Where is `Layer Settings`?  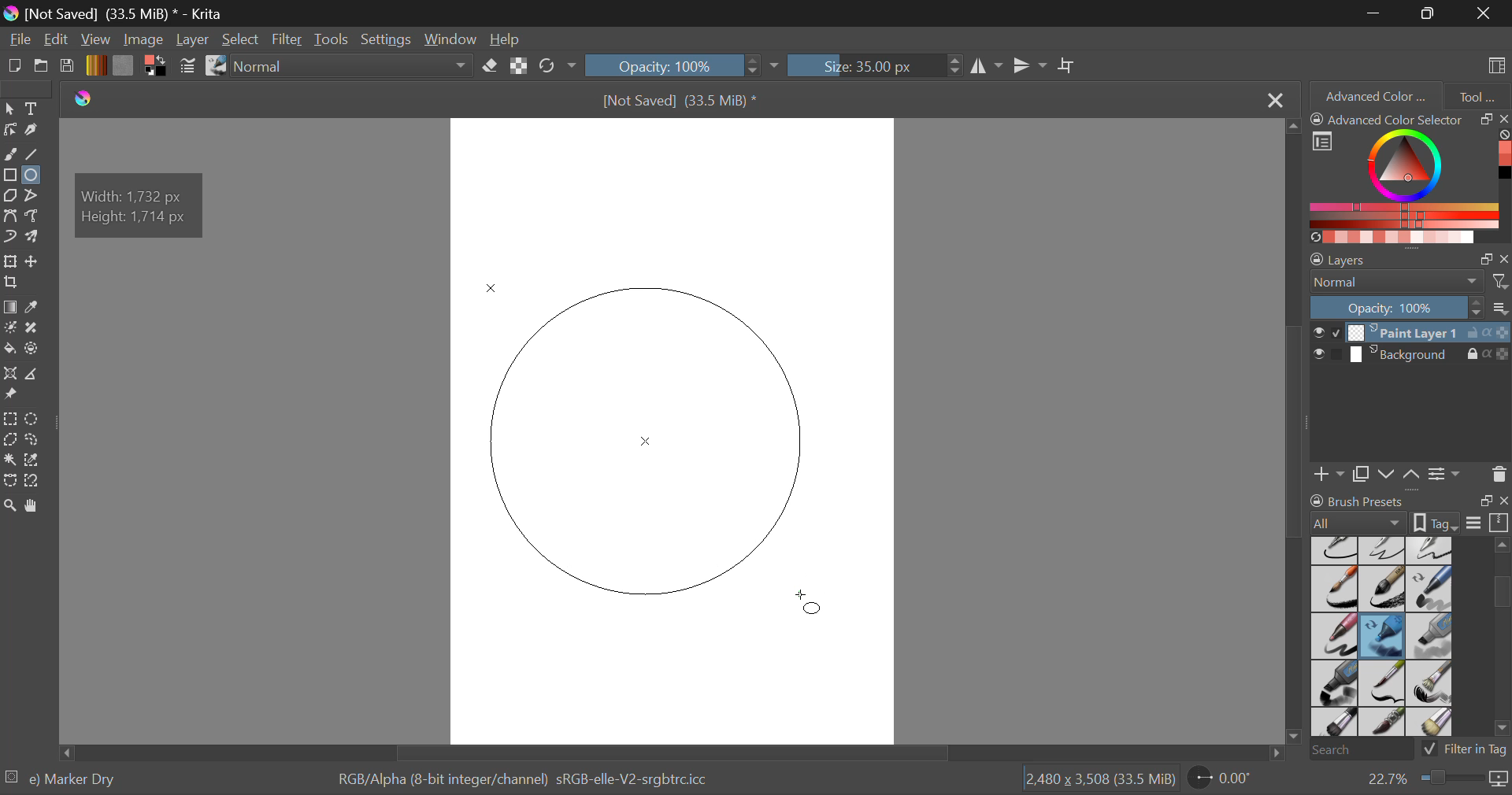 Layer Settings is located at coordinates (1410, 256).